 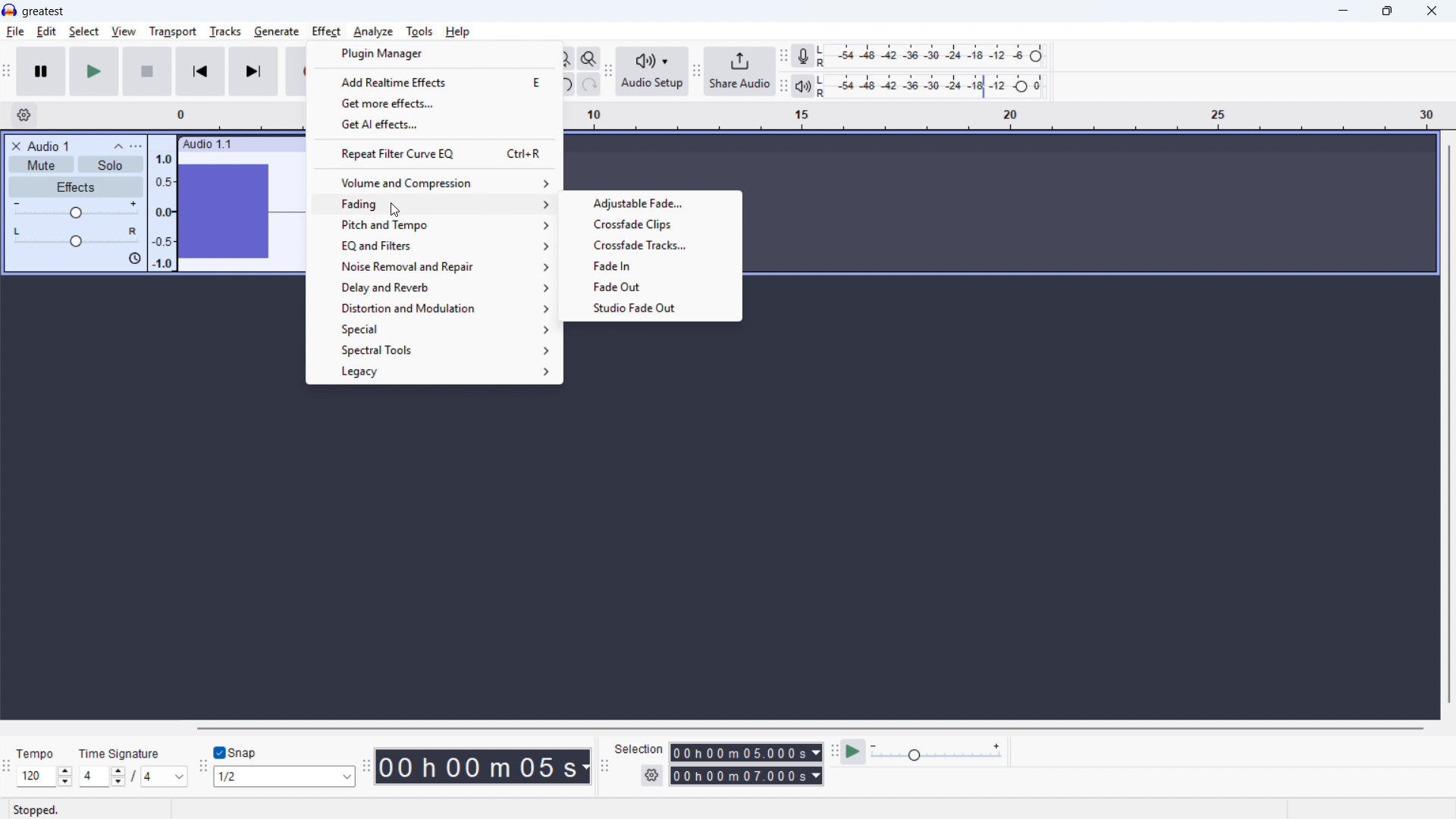 I want to click on Vertical scroll bar , so click(x=1449, y=425).